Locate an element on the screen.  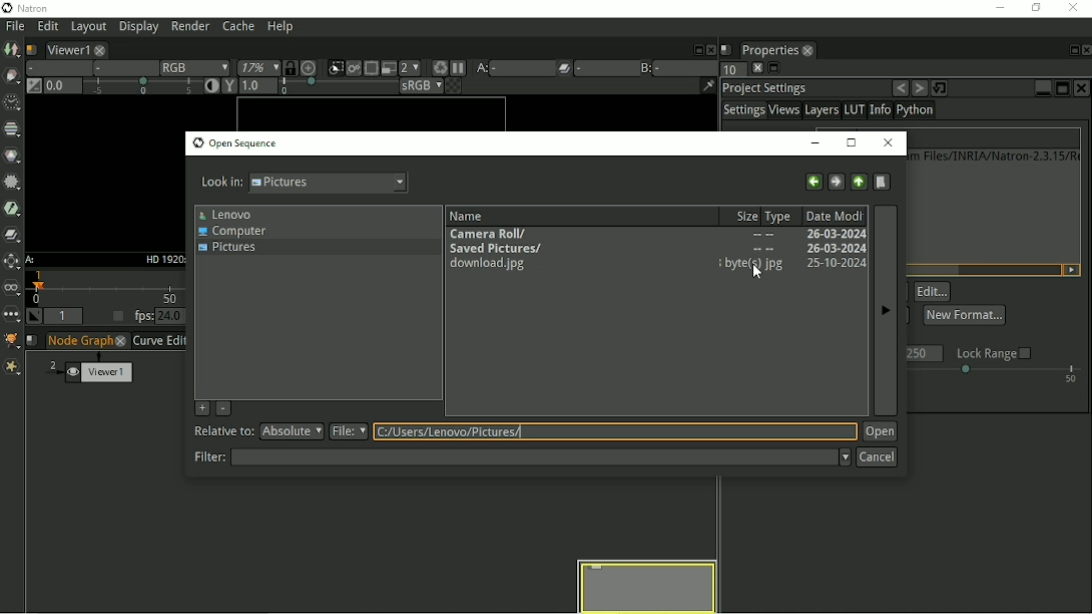
Viewer input B is located at coordinates (644, 67).